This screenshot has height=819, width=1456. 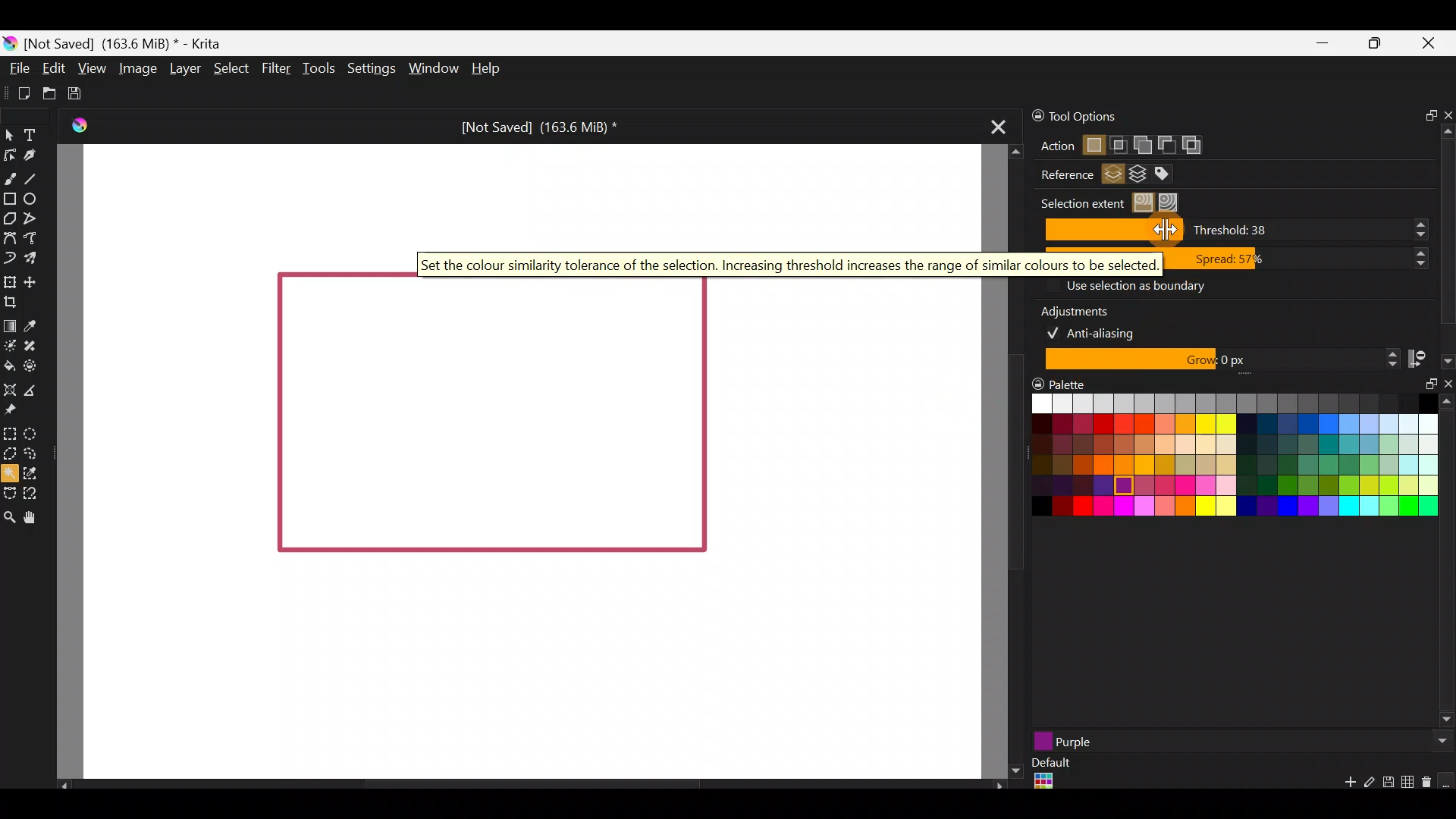 I want to click on Lock the current palette, so click(x=1447, y=781).